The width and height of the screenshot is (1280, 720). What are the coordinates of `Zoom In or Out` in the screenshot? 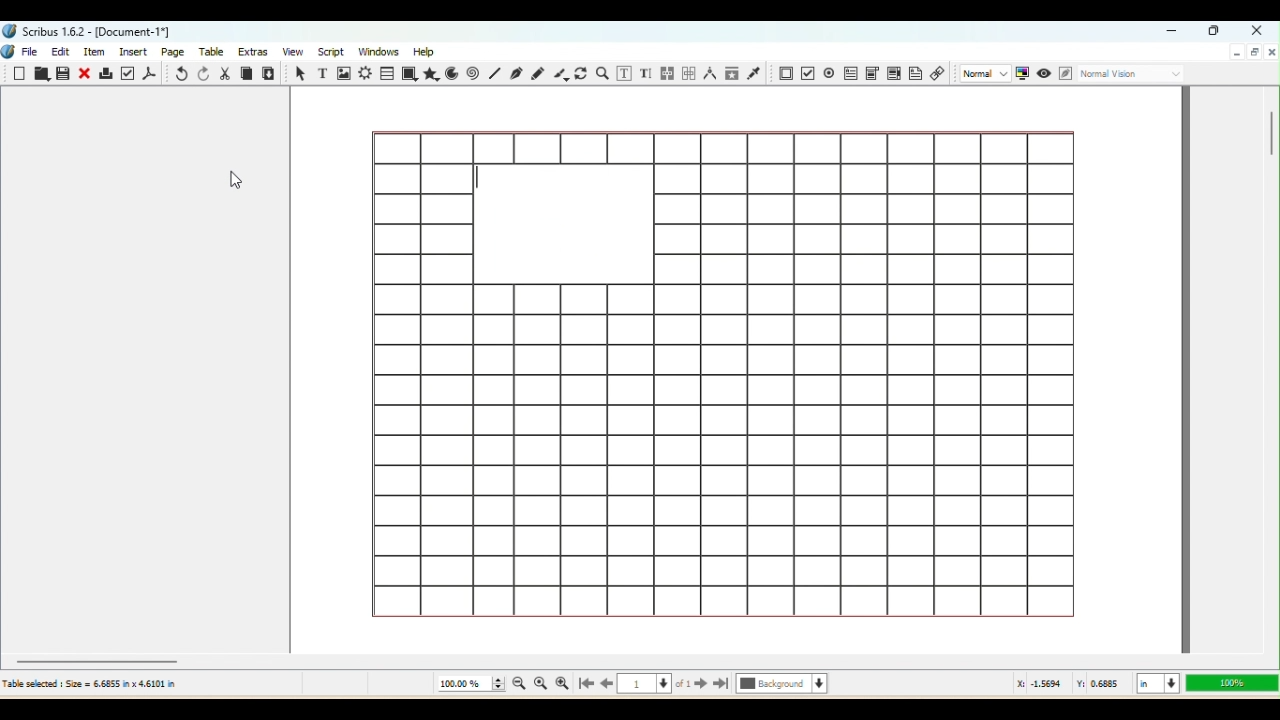 It's located at (603, 72).